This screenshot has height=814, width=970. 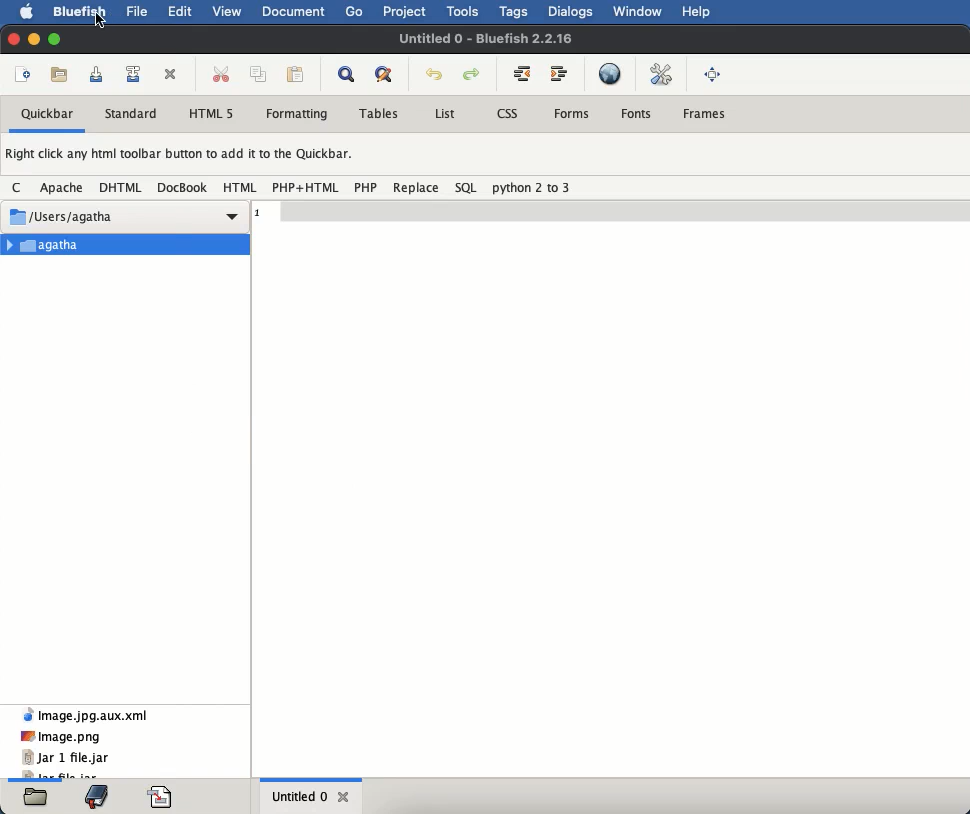 What do you see at coordinates (261, 75) in the screenshot?
I see `copy` at bounding box center [261, 75].